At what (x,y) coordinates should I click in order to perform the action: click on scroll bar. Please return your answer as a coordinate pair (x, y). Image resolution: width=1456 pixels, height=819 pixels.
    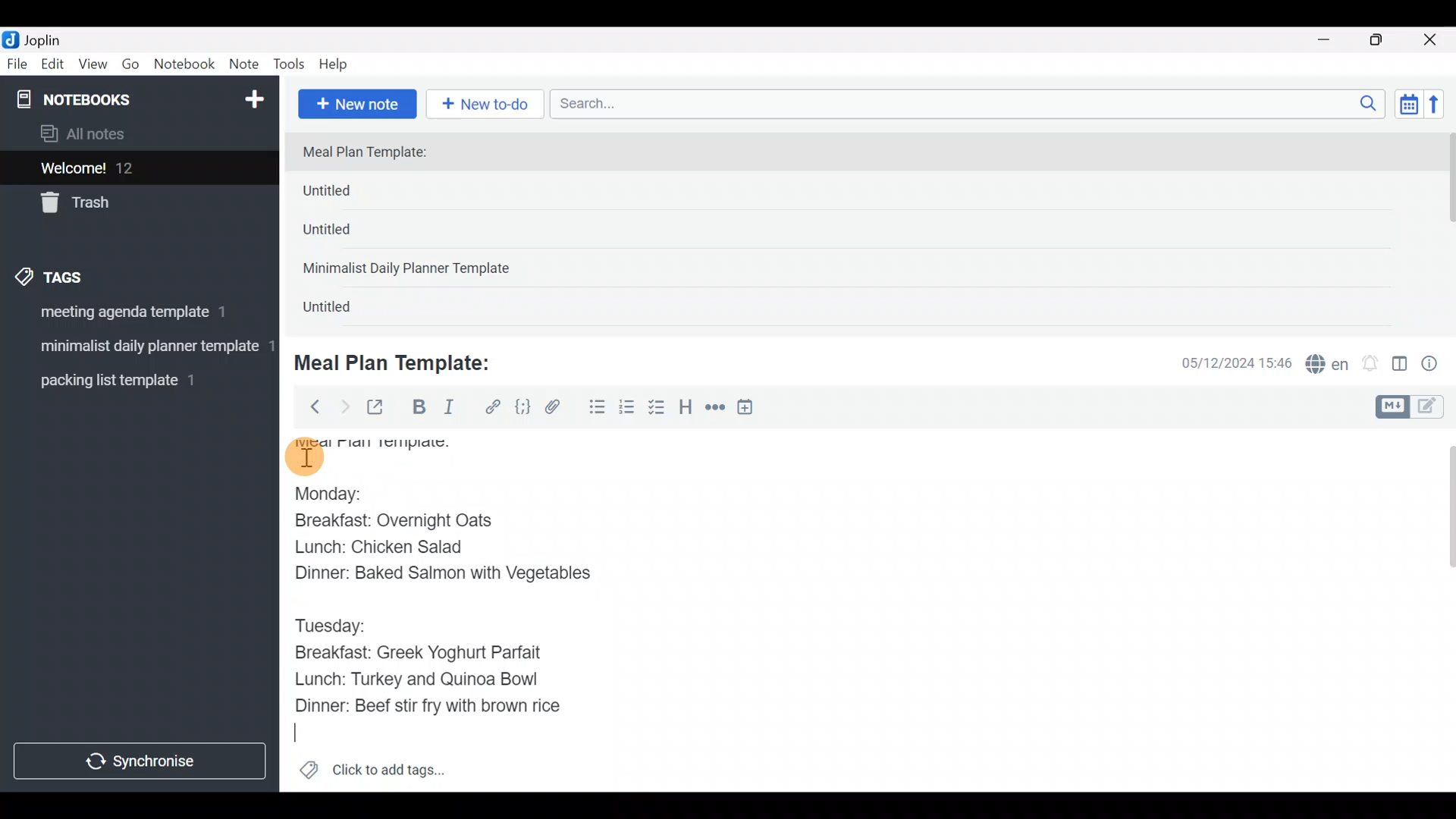
    Looking at the image, I should click on (1446, 229).